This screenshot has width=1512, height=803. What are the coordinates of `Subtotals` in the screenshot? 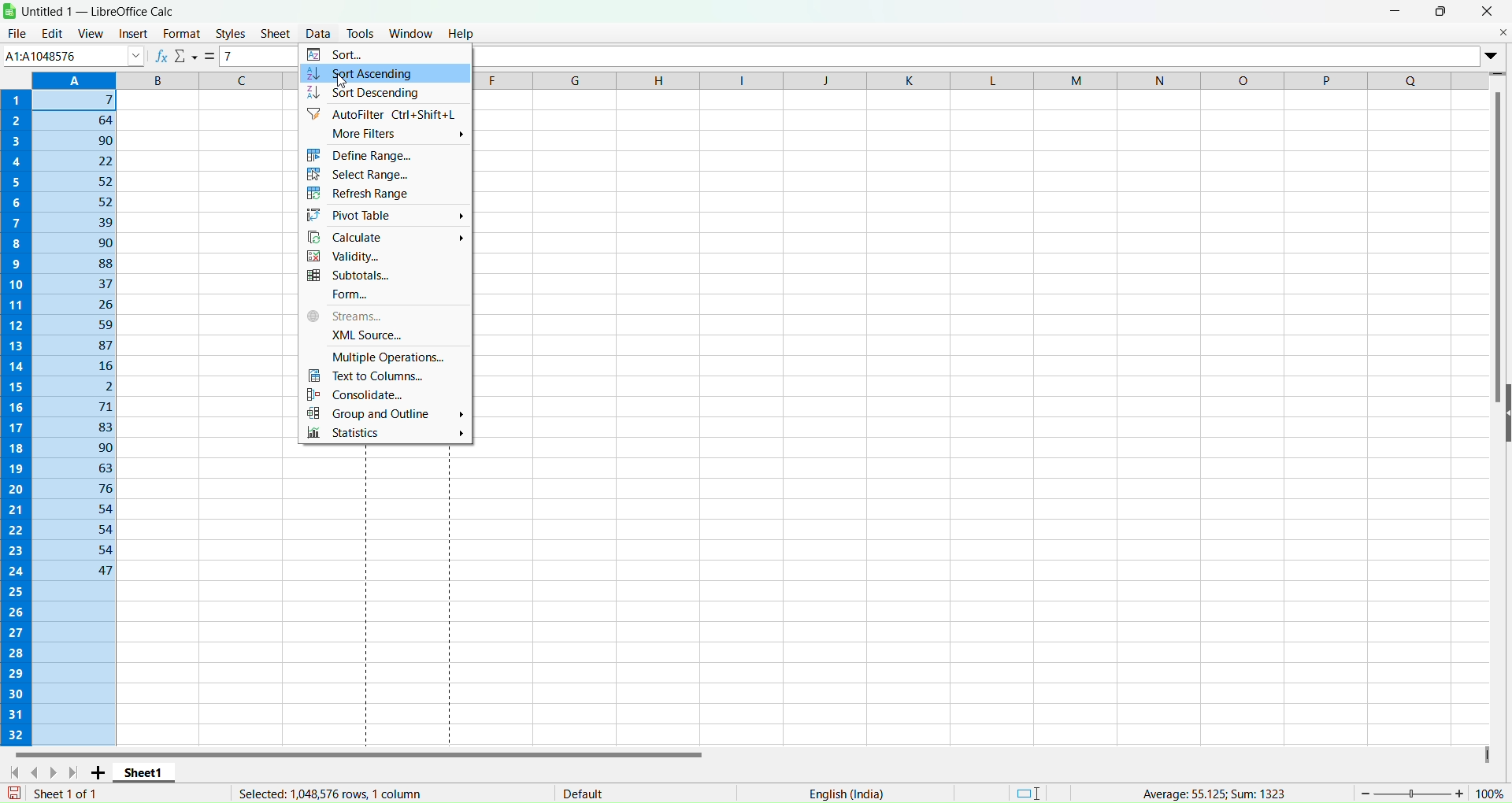 It's located at (381, 276).